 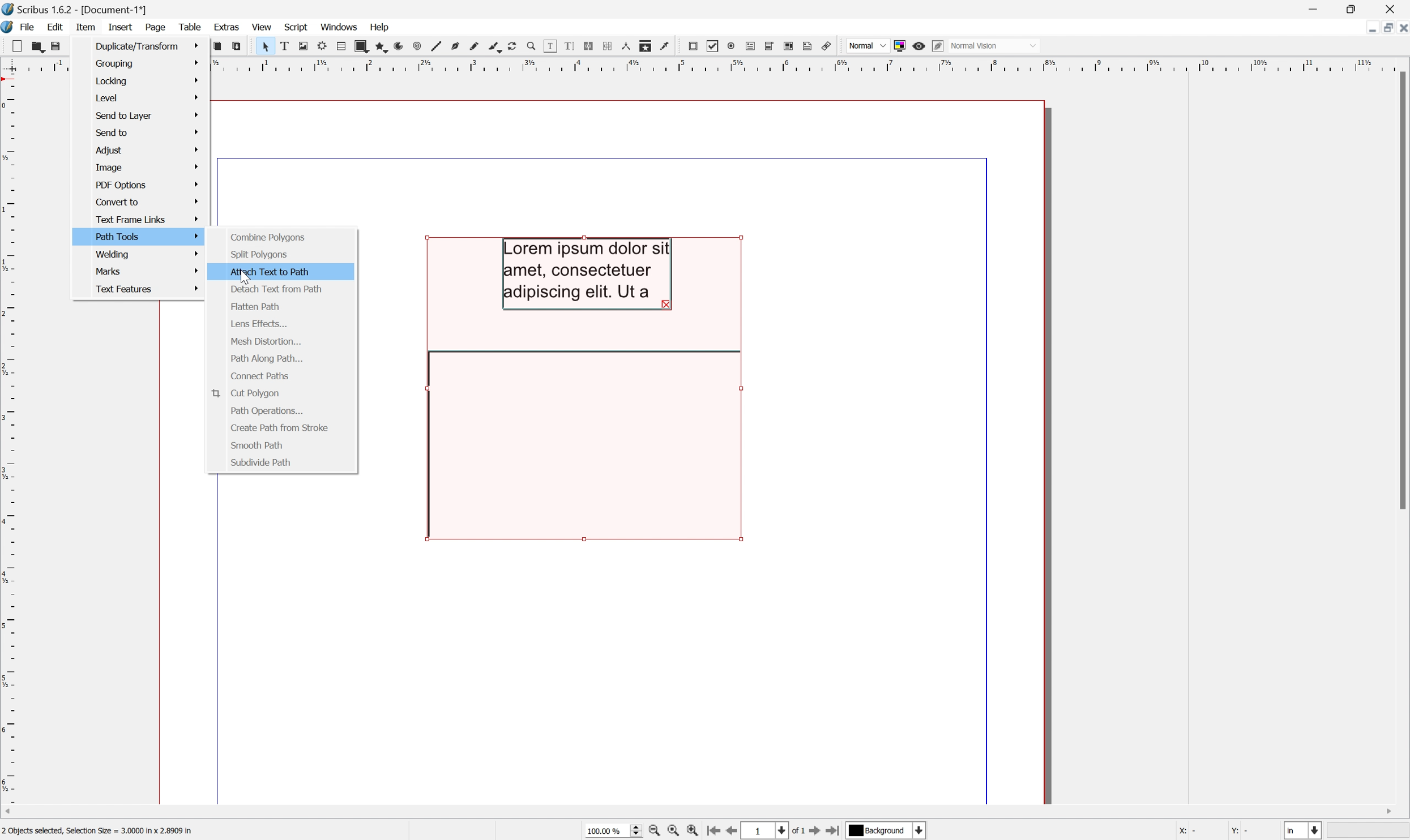 What do you see at coordinates (147, 133) in the screenshot?
I see `Send to` at bounding box center [147, 133].